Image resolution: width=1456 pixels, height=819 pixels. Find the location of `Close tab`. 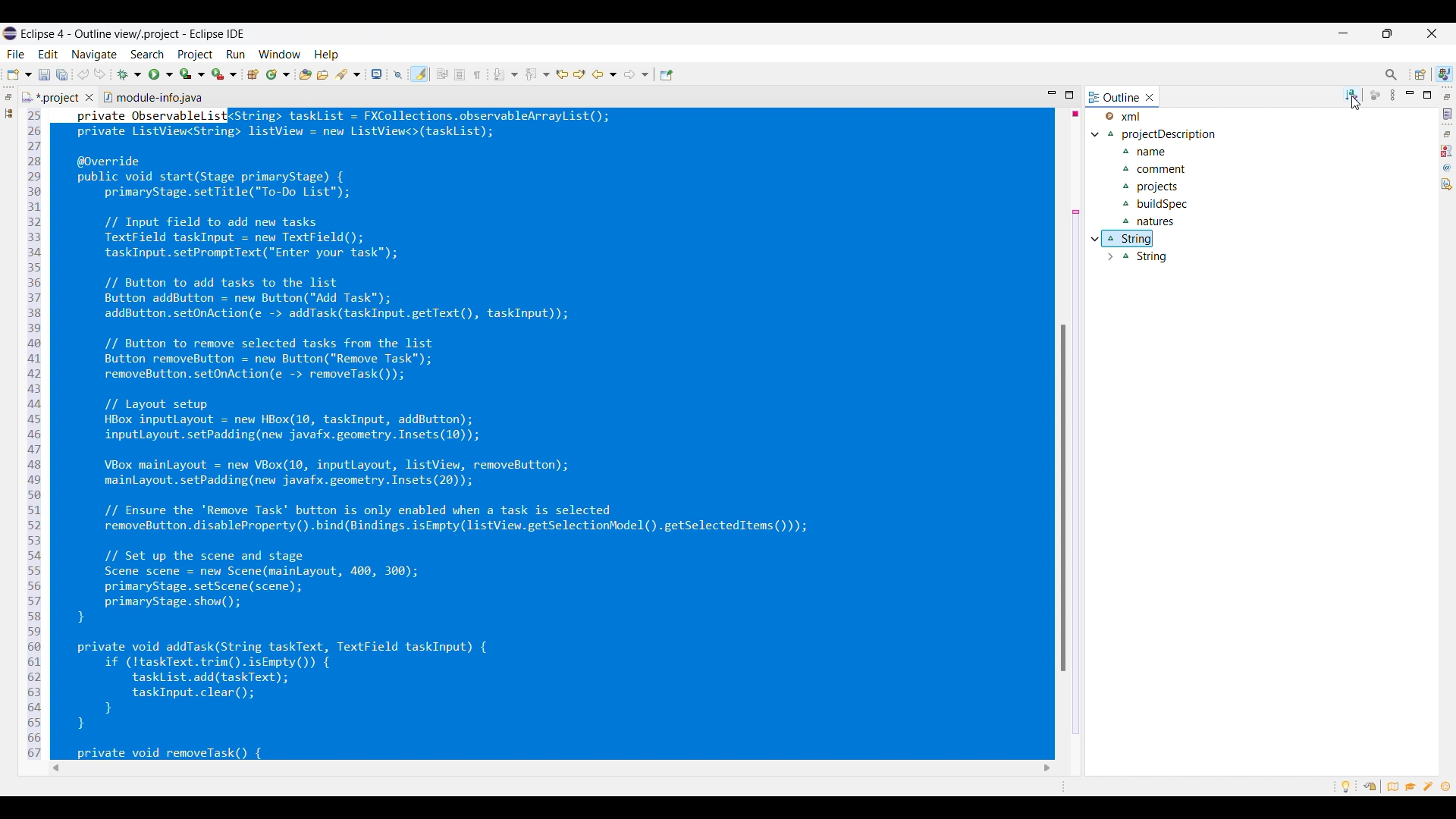

Close tab is located at coordinates (1150, 97).